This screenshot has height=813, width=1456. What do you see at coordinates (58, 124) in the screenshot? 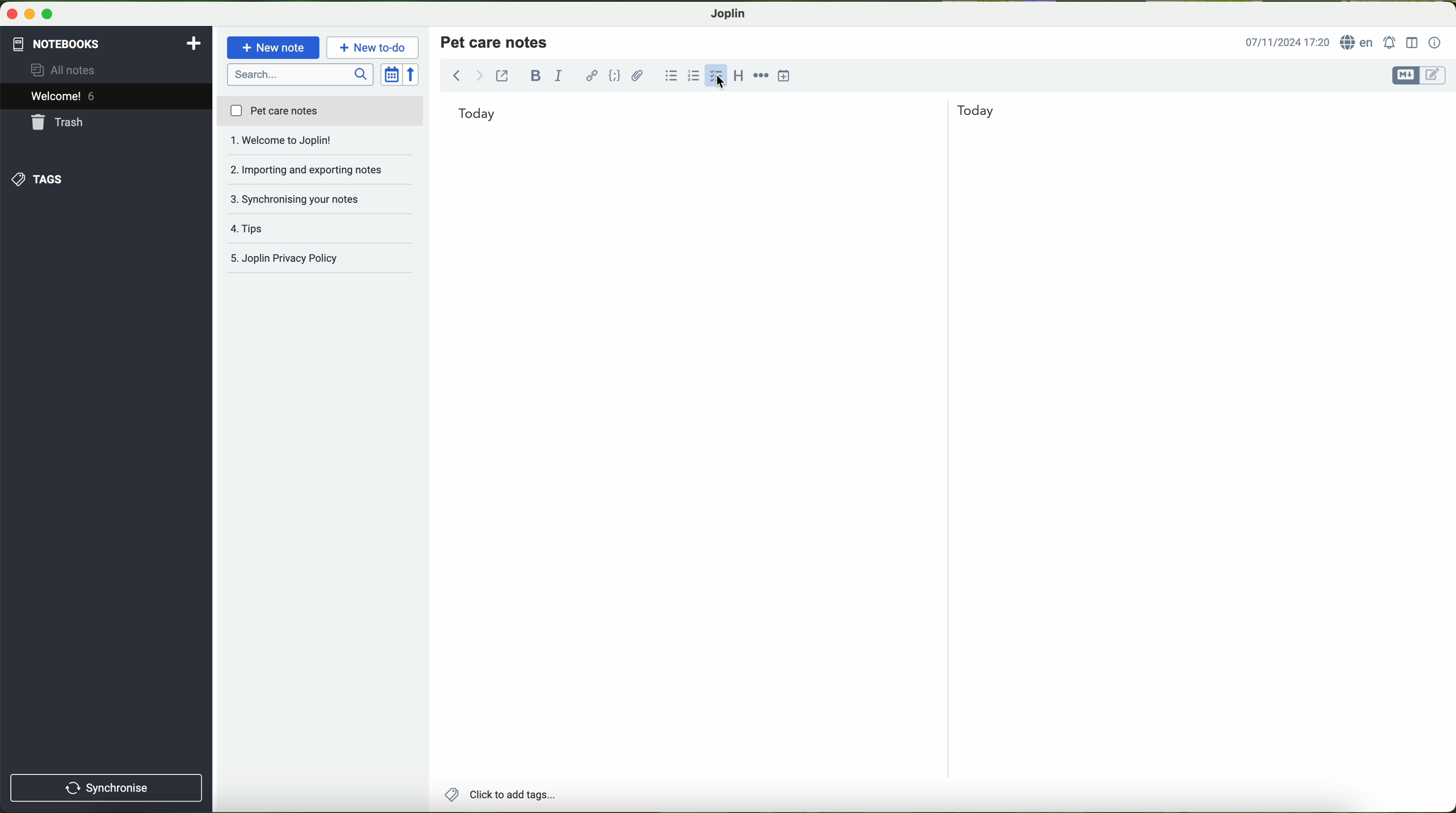
I see `trash` at bounding box center [58, 124].